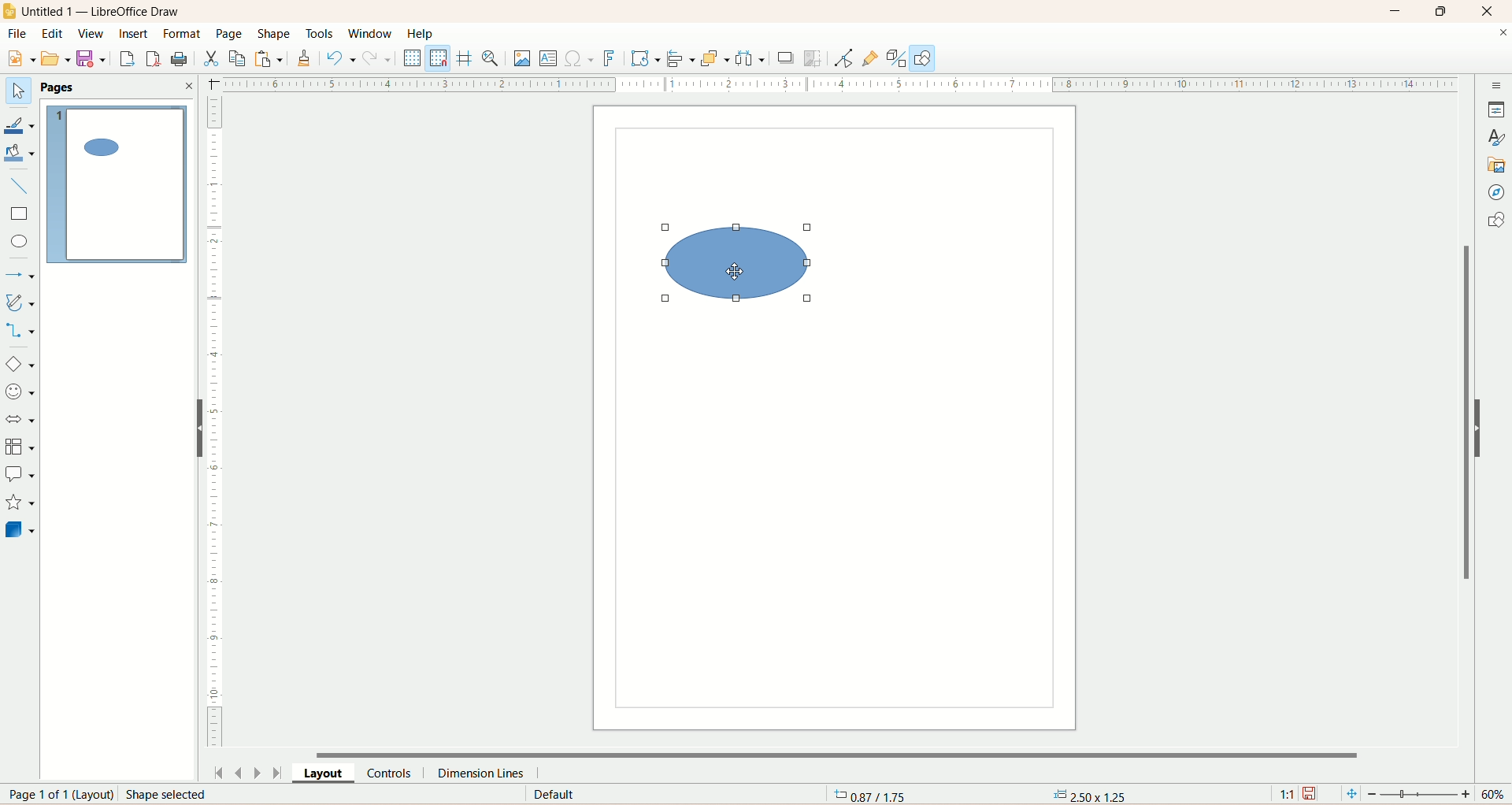 This screenshot has width=1512, height=805. Describe the element at coordinates (1497, 87) in the screenshot. I see `sidebar settings` at that location.